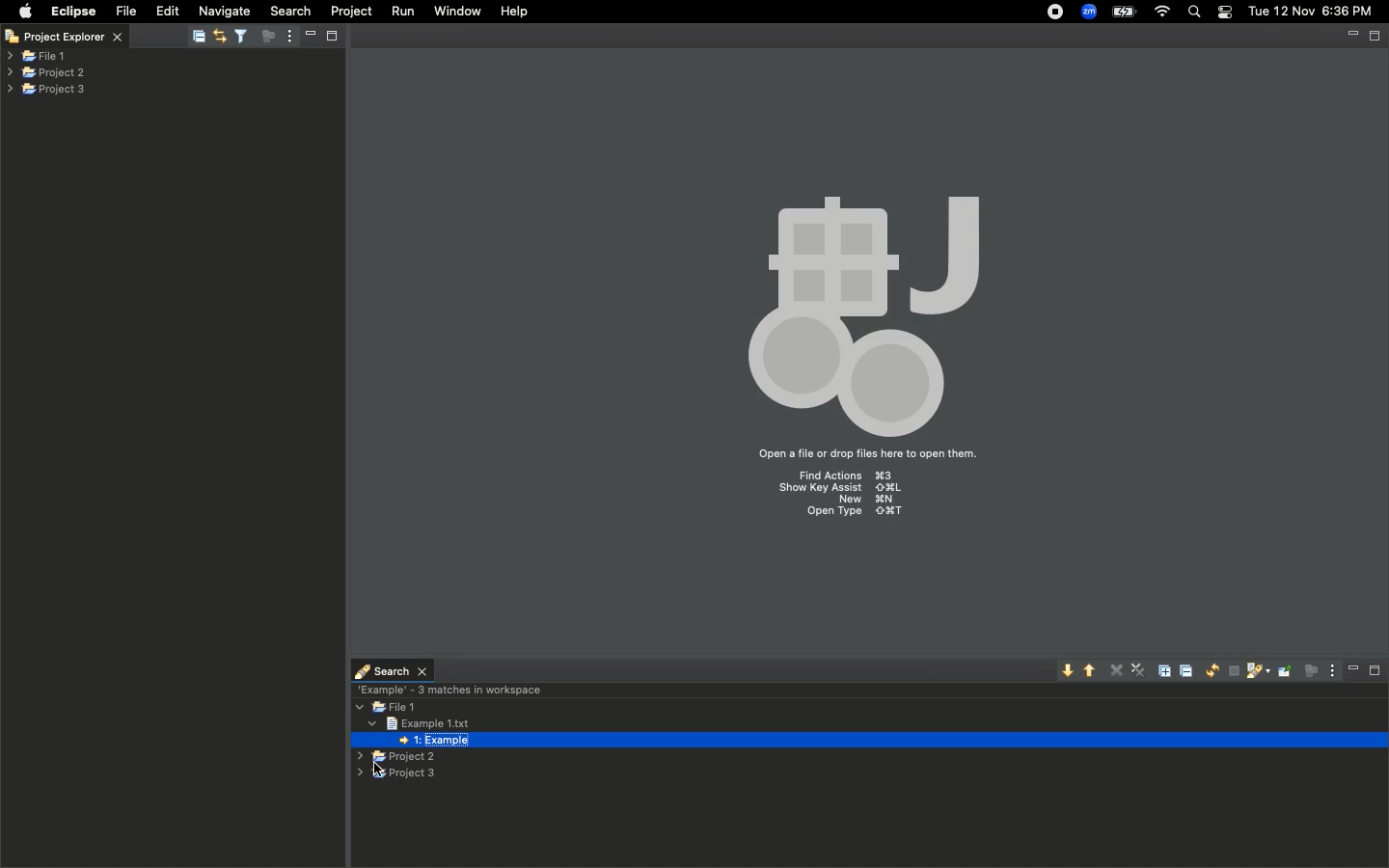 The height and width of the screenshot is (868, 1389). What do you see at coordinates (1067, 671) in the screenshot?
I see `Show next match` at bounding box center [1067, 671].